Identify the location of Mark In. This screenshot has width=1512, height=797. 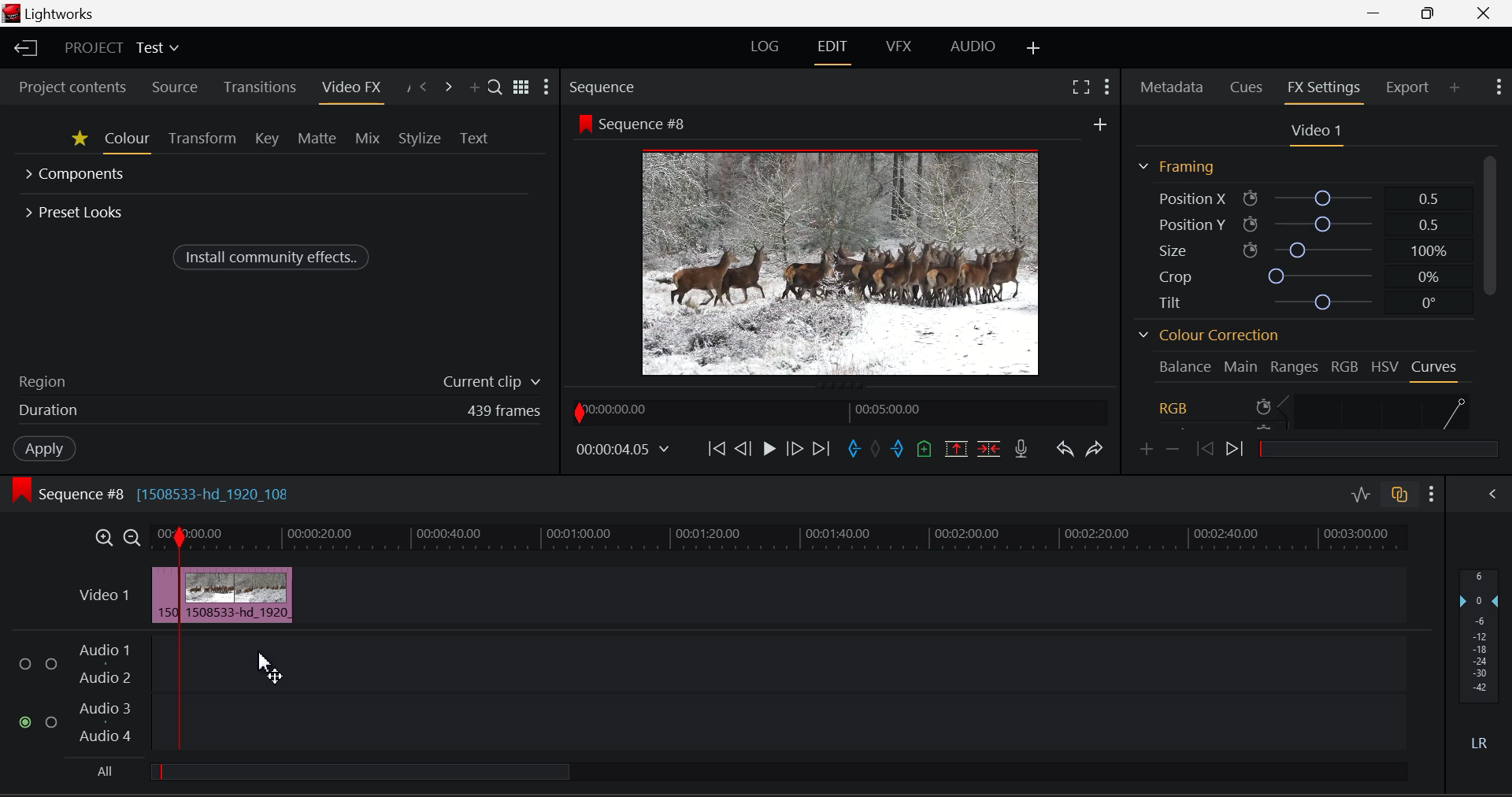
(854, 448).